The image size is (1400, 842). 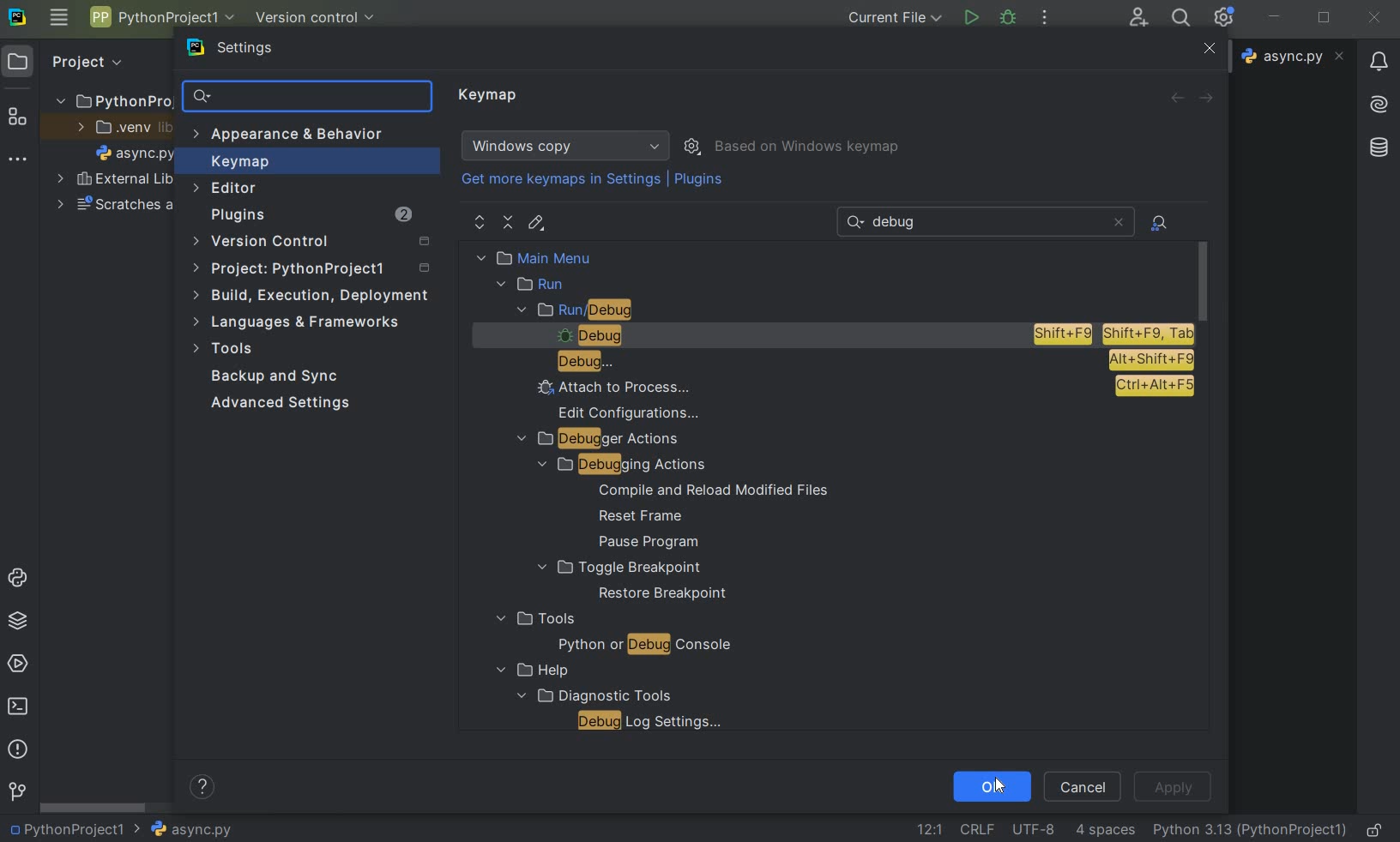 I want to click on run, so click(x=533, y=285).